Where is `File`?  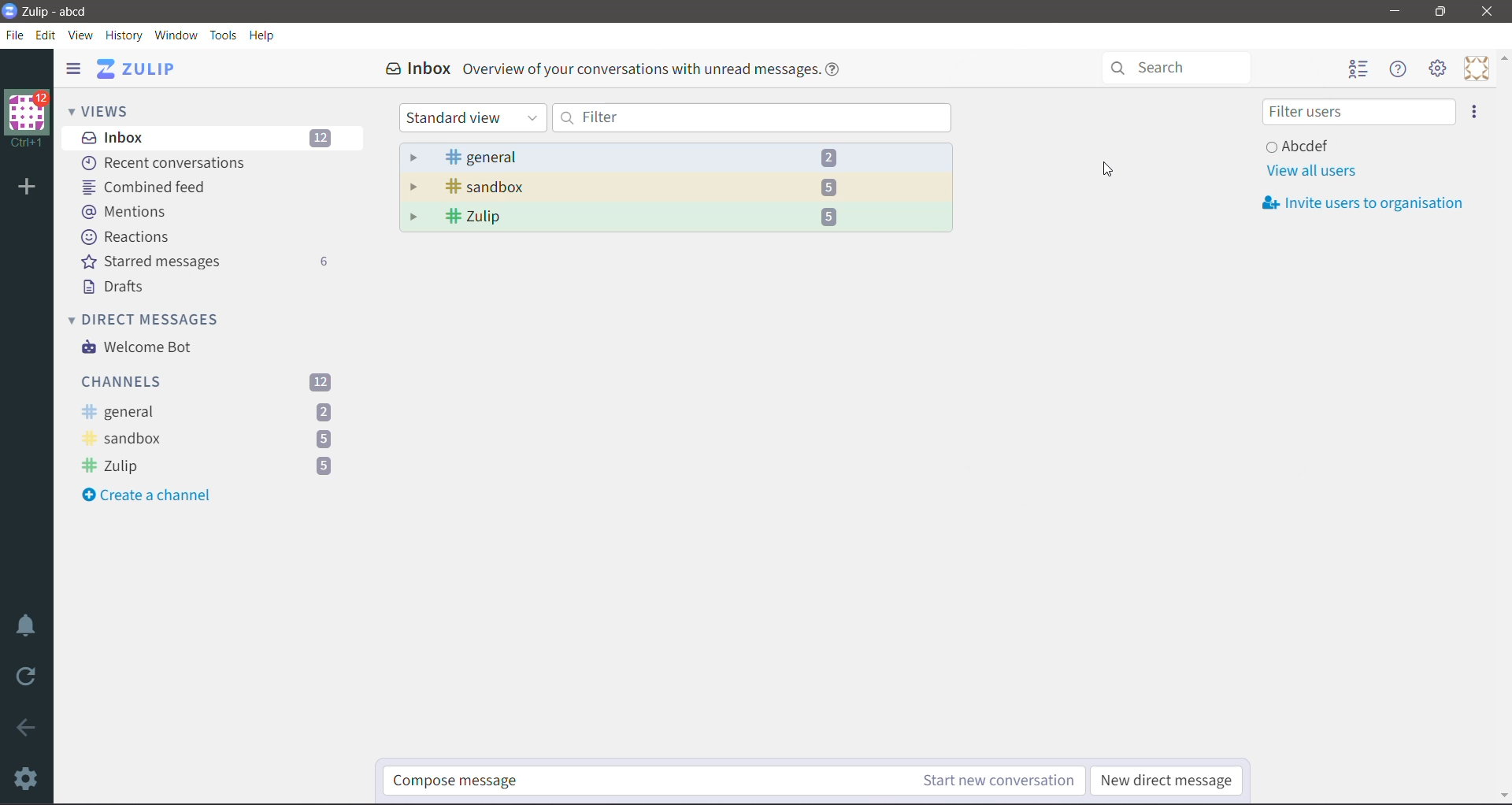 File is located at coordinates (16, 34).